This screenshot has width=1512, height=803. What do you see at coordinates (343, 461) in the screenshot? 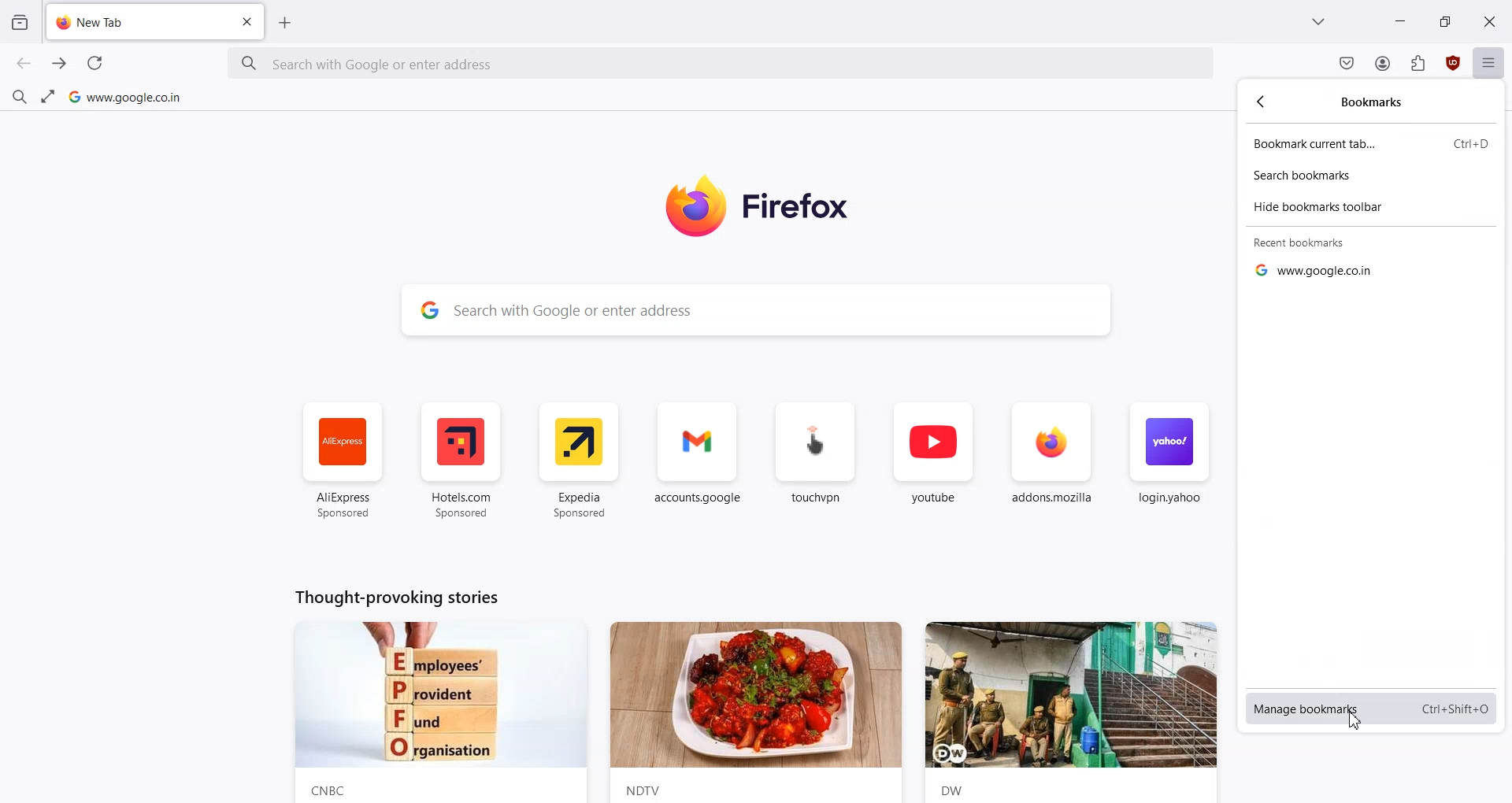
I see `AliExpress Sponsored` at bounding box center [343, 461].